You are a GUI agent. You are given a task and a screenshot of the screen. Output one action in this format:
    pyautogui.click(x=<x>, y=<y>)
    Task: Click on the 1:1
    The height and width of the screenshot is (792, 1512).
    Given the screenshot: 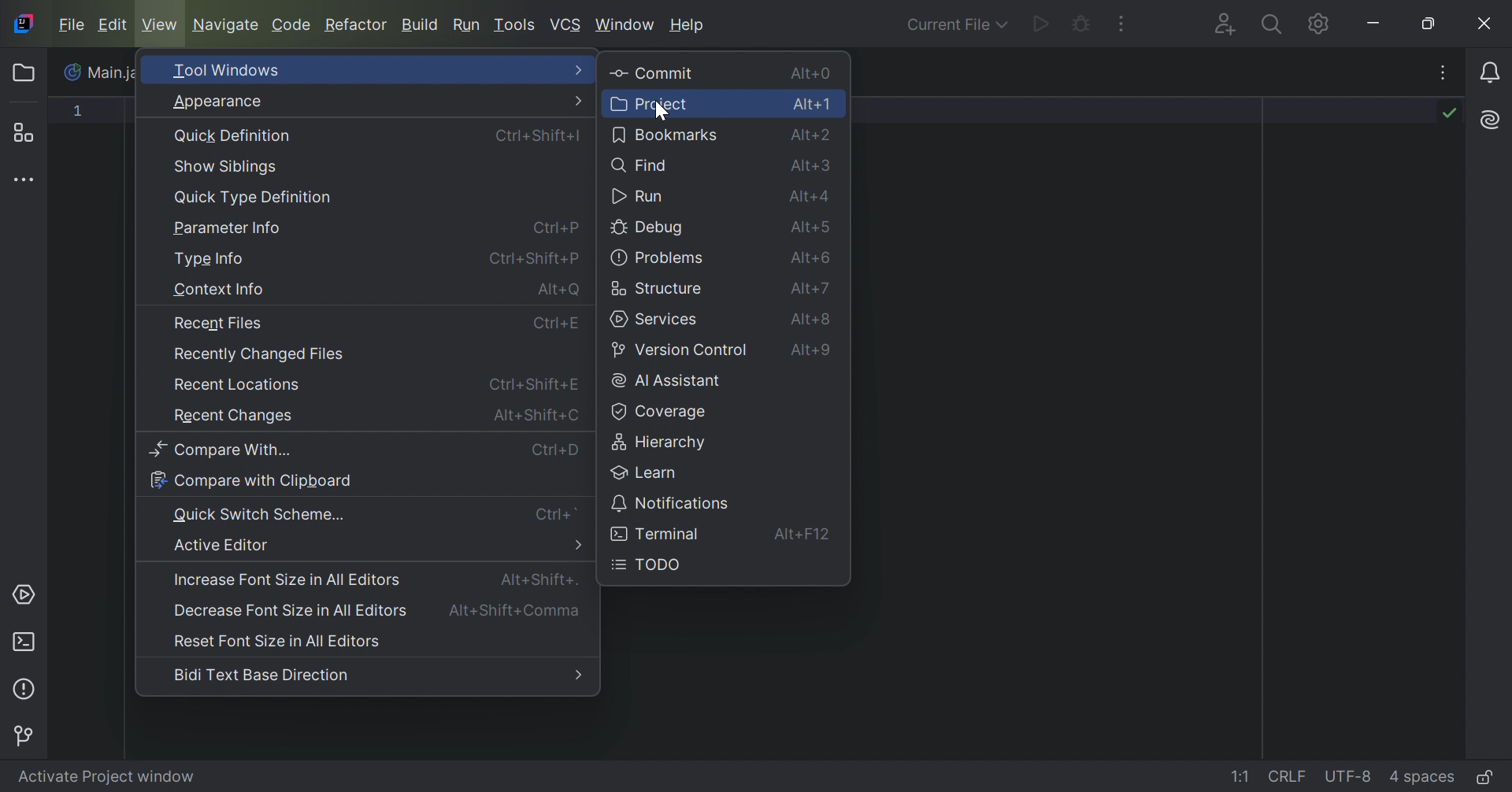 What is the action you would take?
    pyautogui.click(x=1243, y=777)
    